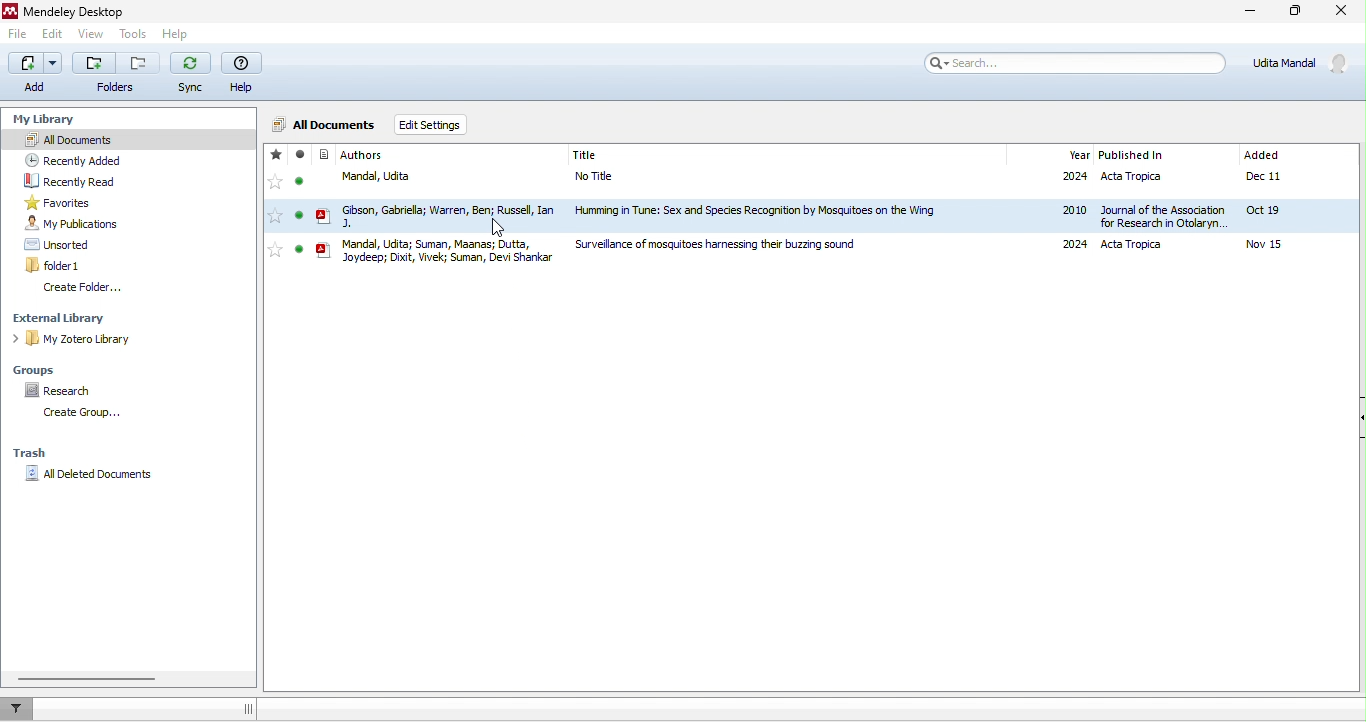 The image size is (1366, 722). I want to click on favourites, so click(70, 203).